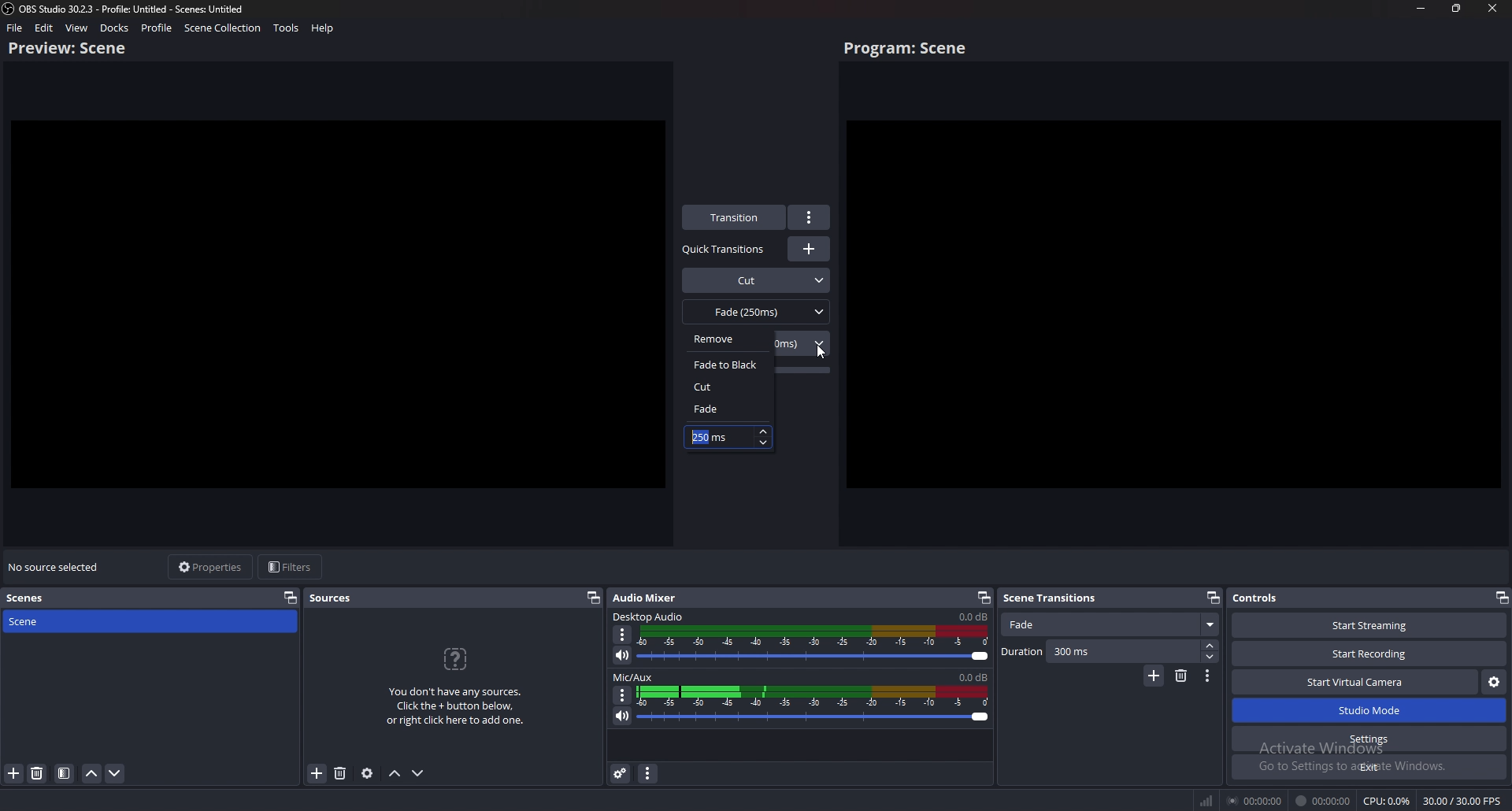 The image size is (1512, 811). Describe the element at coordinates (332, 598) in the screenshot. I see `sources` at that location.